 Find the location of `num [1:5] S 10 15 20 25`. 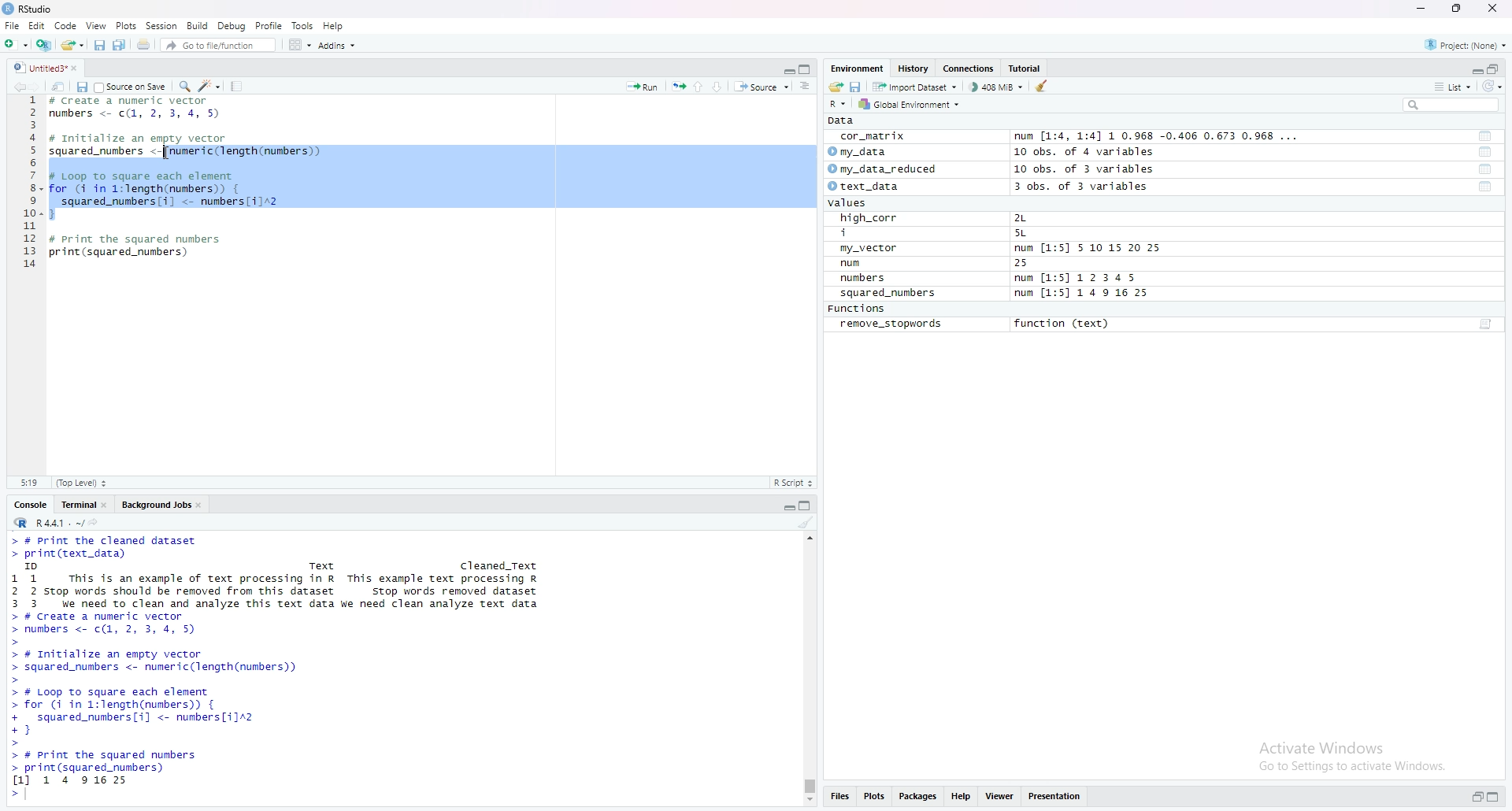

num [1:5] S 10 15 20 25 is located at coordinates (1088, 249).